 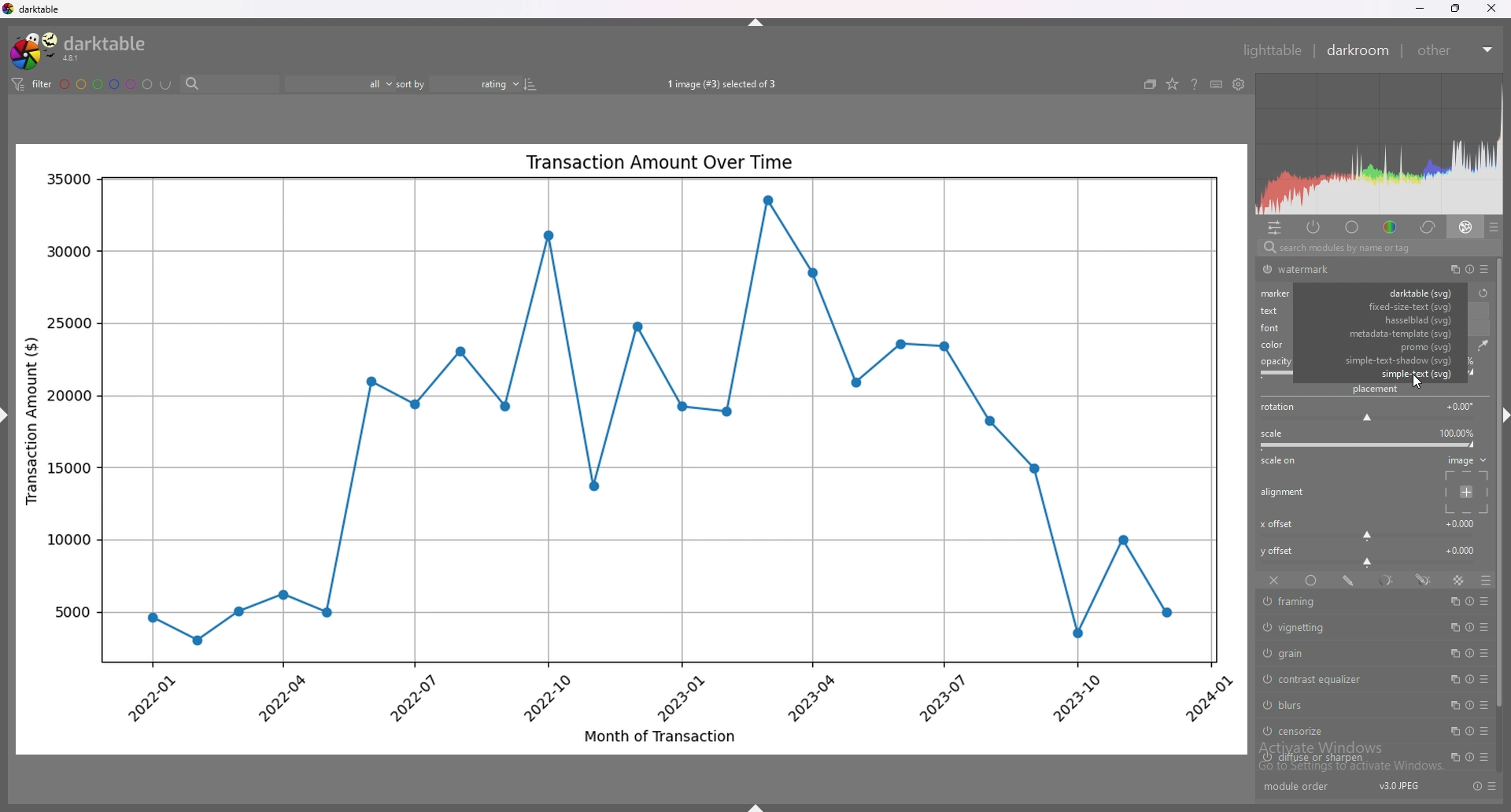 What do you see at coordinates (106, 83) in the screenshot?
I see `color labels` at bounding box center [106, 83].